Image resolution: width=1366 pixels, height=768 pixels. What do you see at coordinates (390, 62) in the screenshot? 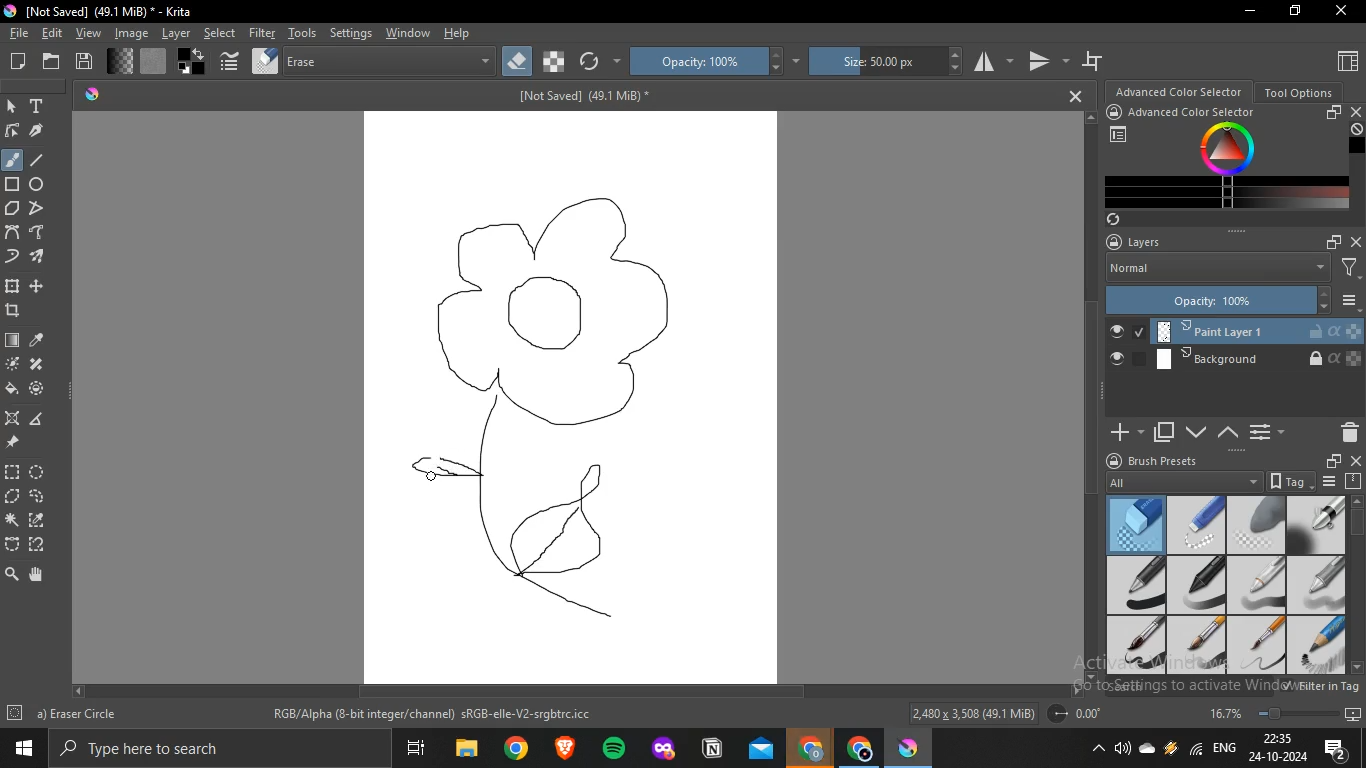
I see `blending mode` at bounding box center [390, 62].